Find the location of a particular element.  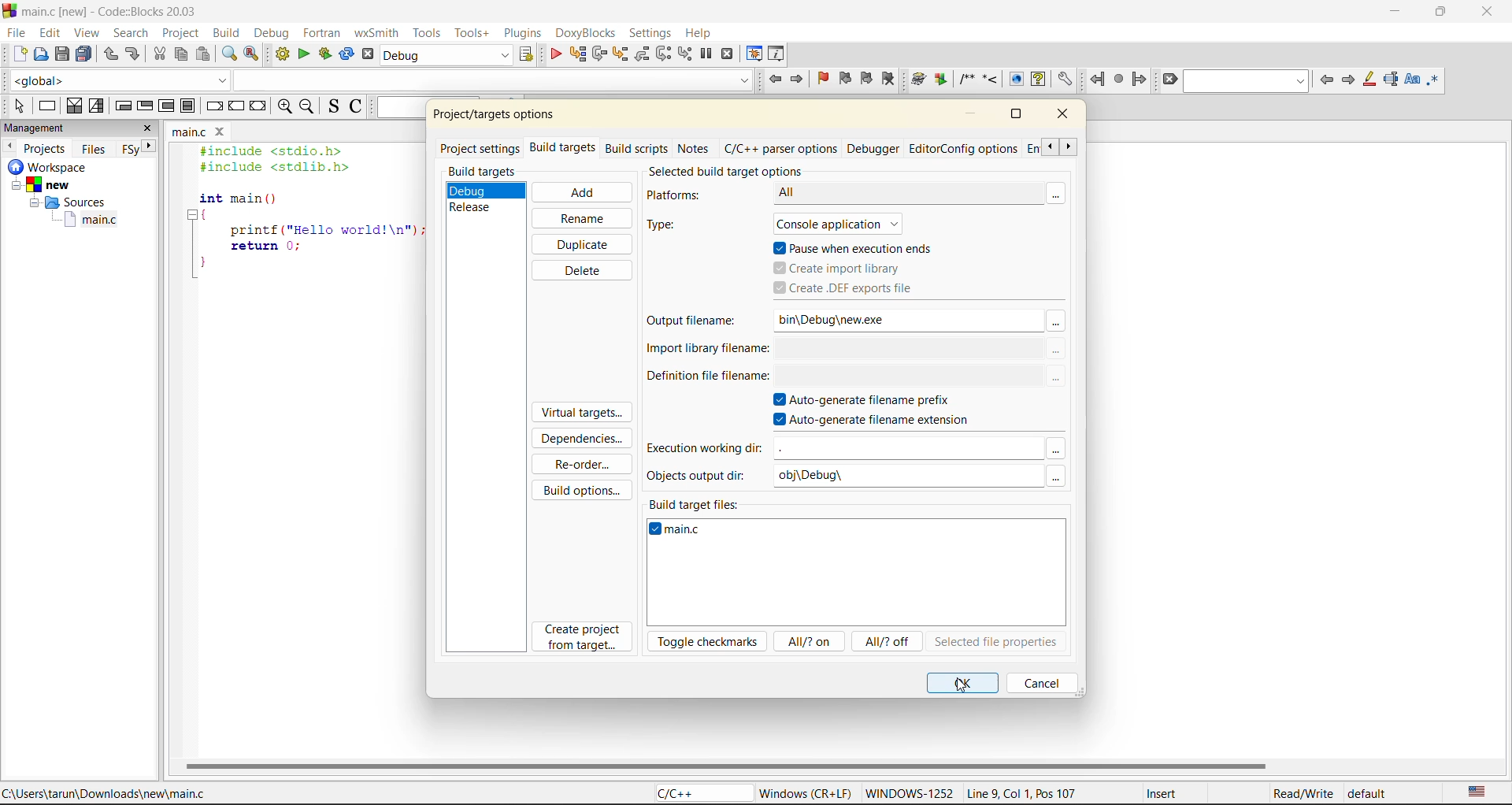

zoom out is located at coordinates (308, 108).